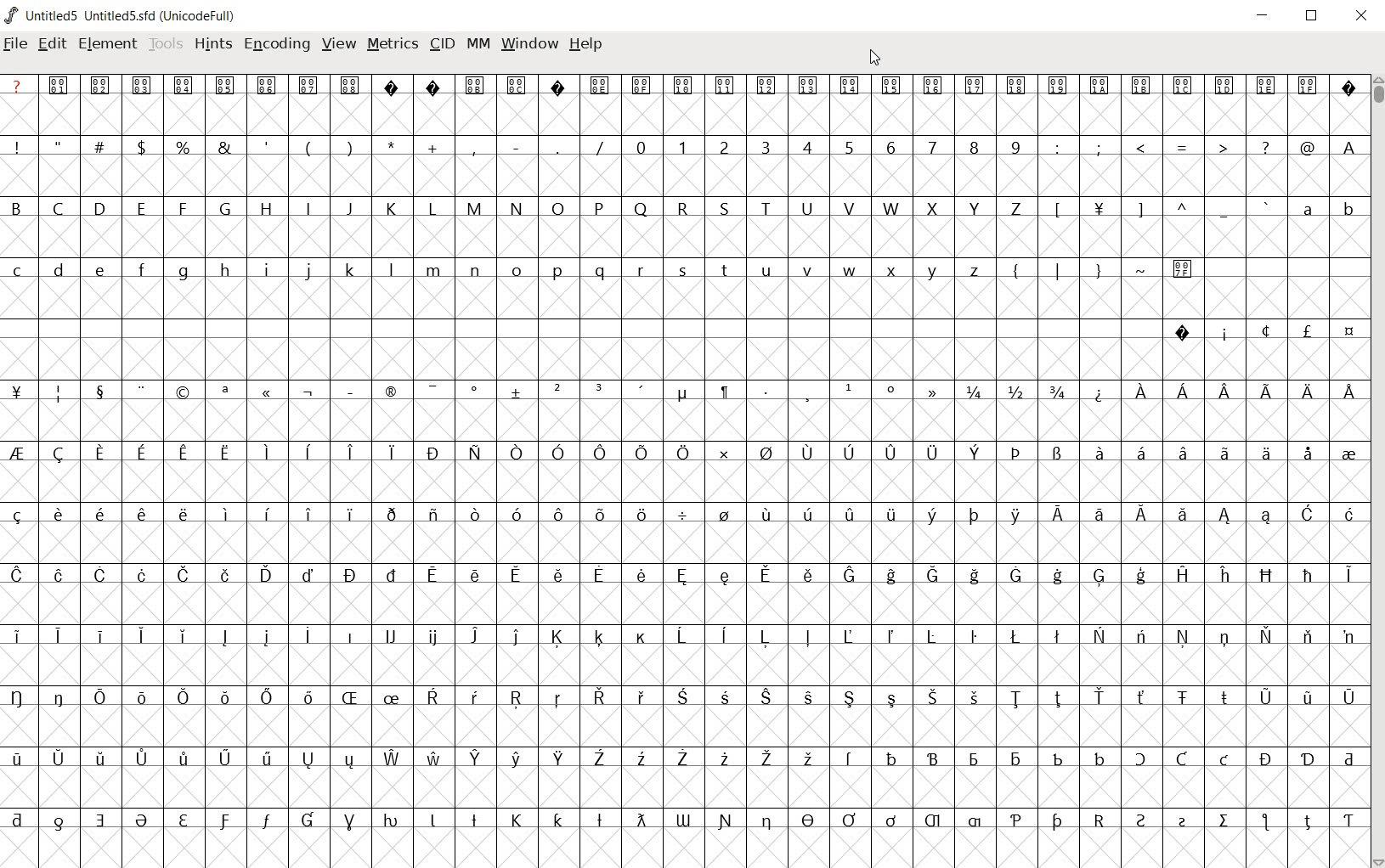 This screenshot has width=1385, height=868. What do you see at coordinates (1099, 578) in the screenshot?
I see `Symbol` at bounding box center [1099, 578].